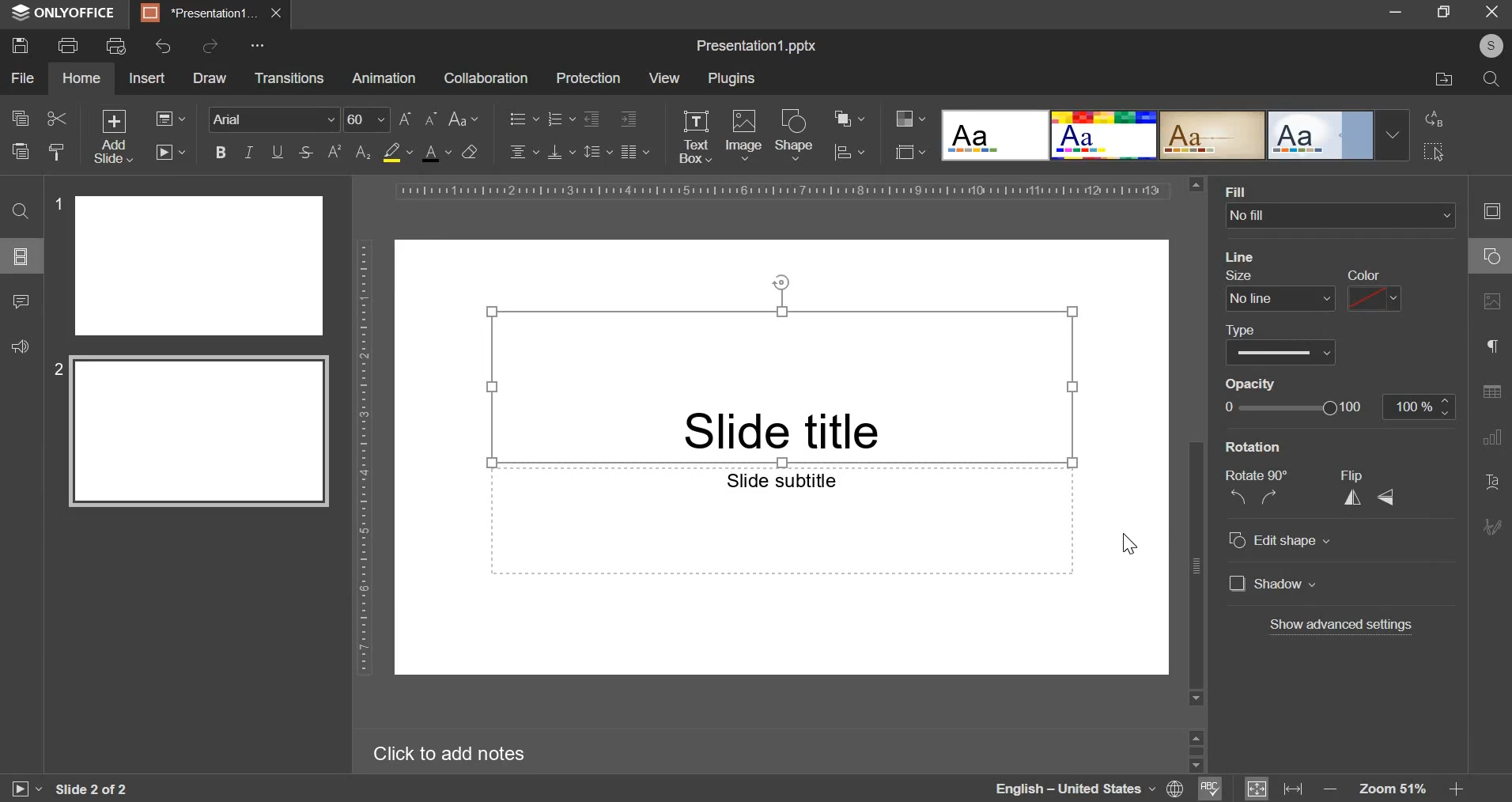 The height and width of the screenshot is (802, 1512). I want to click on vertical alignment, so click(562, 151).